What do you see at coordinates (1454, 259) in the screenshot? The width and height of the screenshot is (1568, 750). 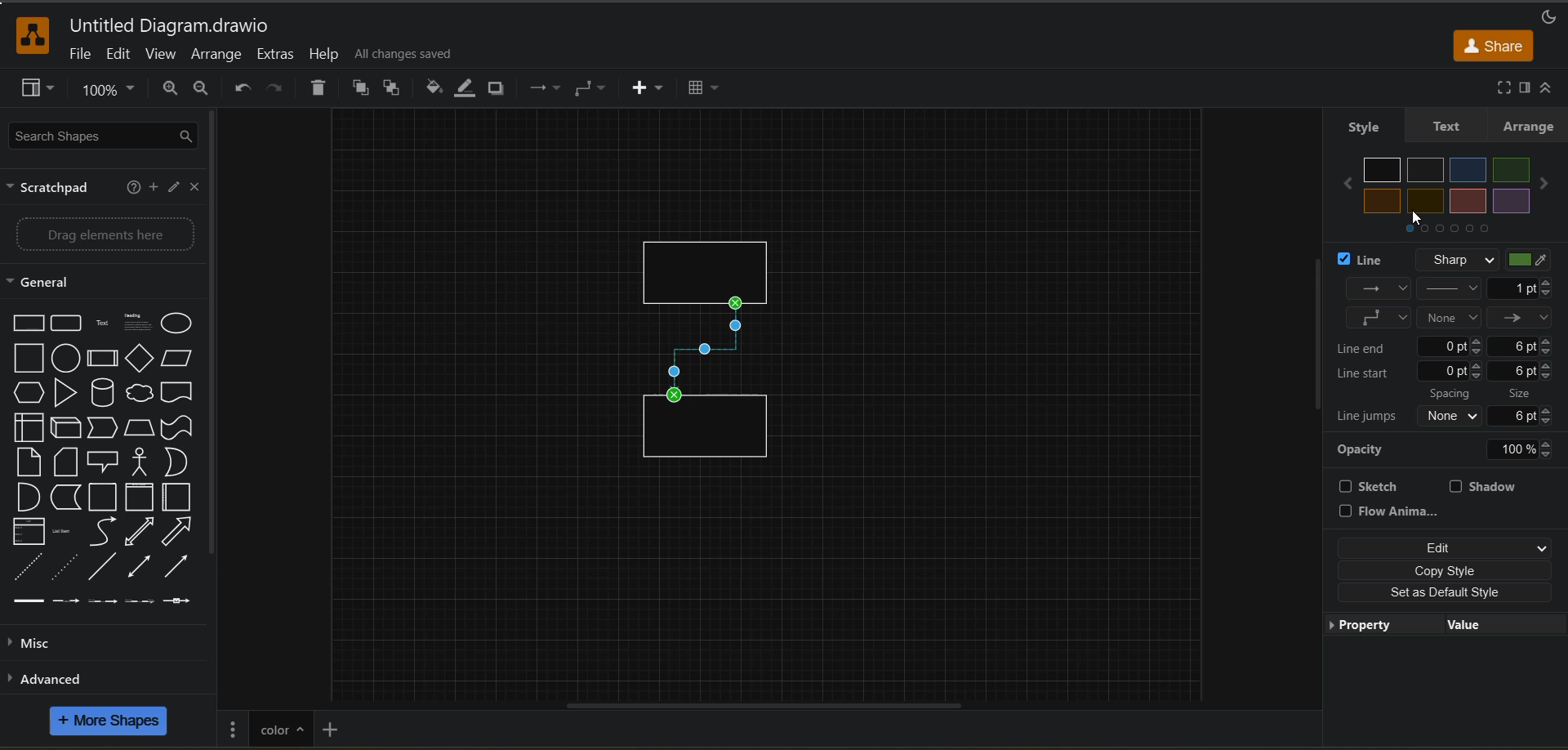 I see `Sharp` at bounding box center [1454, 259].